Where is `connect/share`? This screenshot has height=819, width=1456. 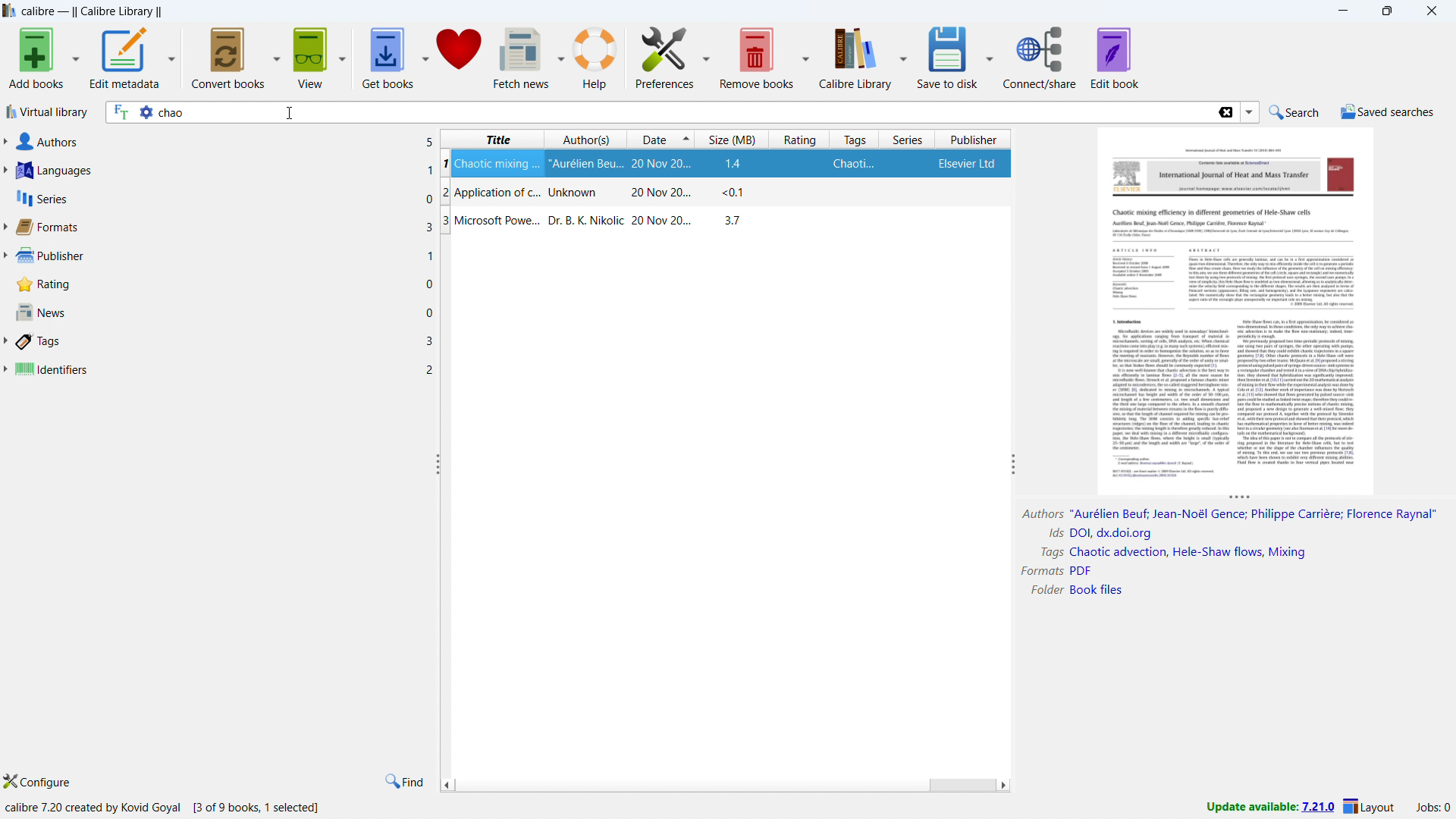
connect/share is located at coordinates (1040, 56).